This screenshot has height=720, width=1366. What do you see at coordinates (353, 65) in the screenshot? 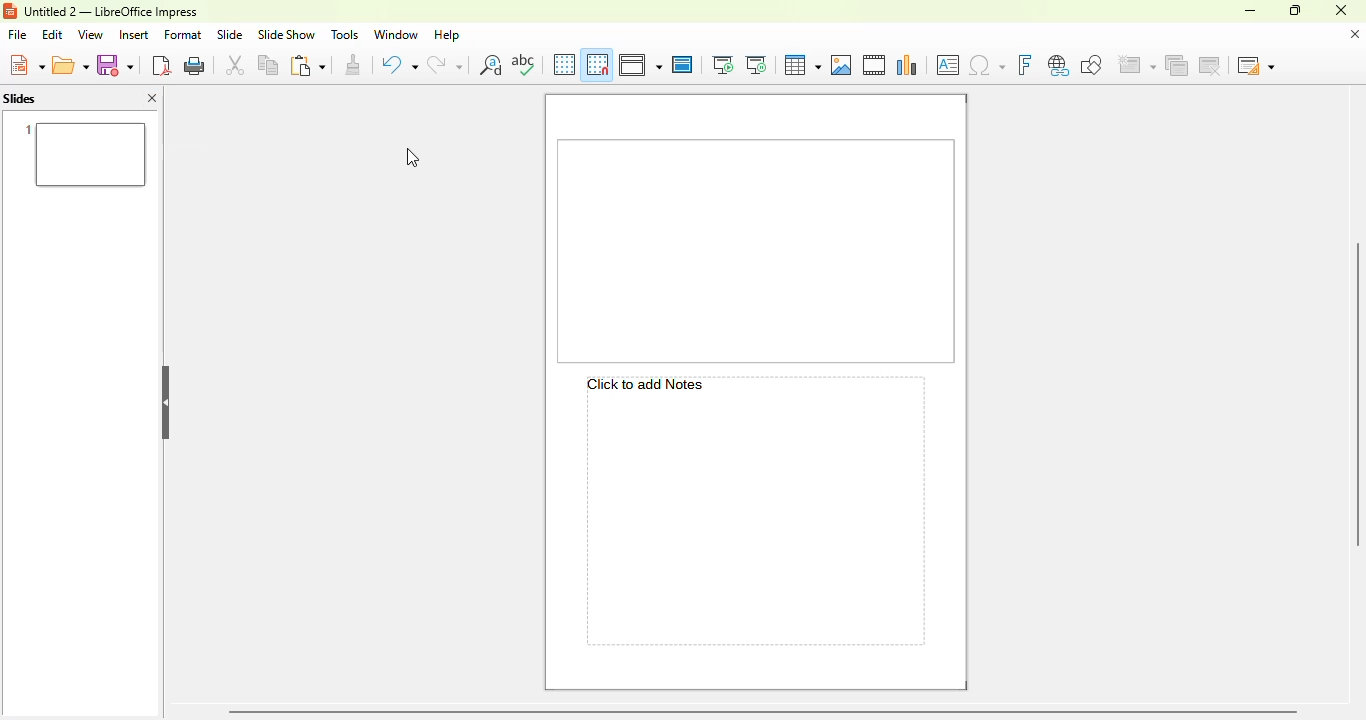
I see `clone formatting` at bounding box center [353, 65].